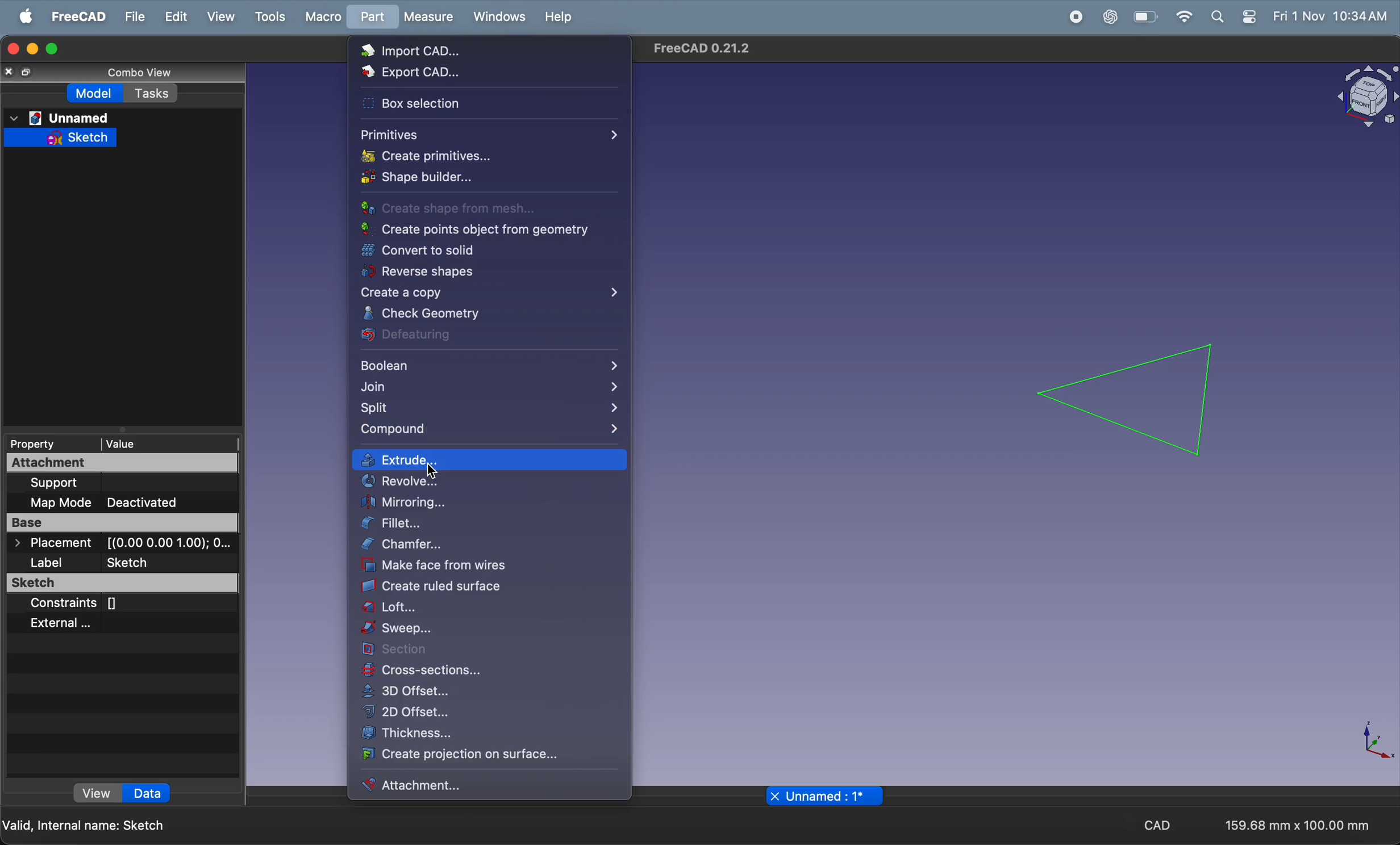 This screenshot has height=845, width=1400. I want to click on base, so click(122, 525).